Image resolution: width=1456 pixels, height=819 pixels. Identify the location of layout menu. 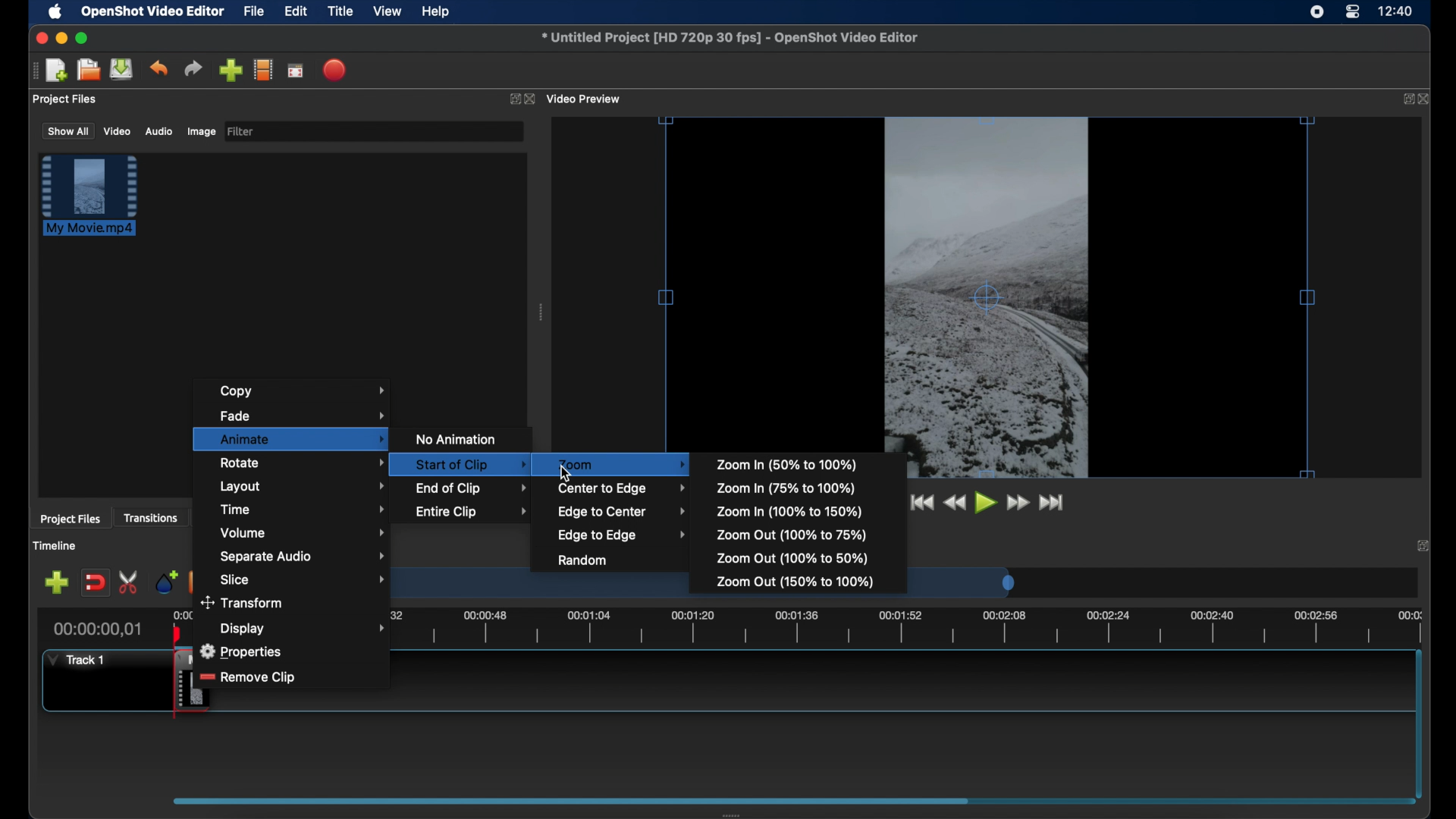
(303, 487).